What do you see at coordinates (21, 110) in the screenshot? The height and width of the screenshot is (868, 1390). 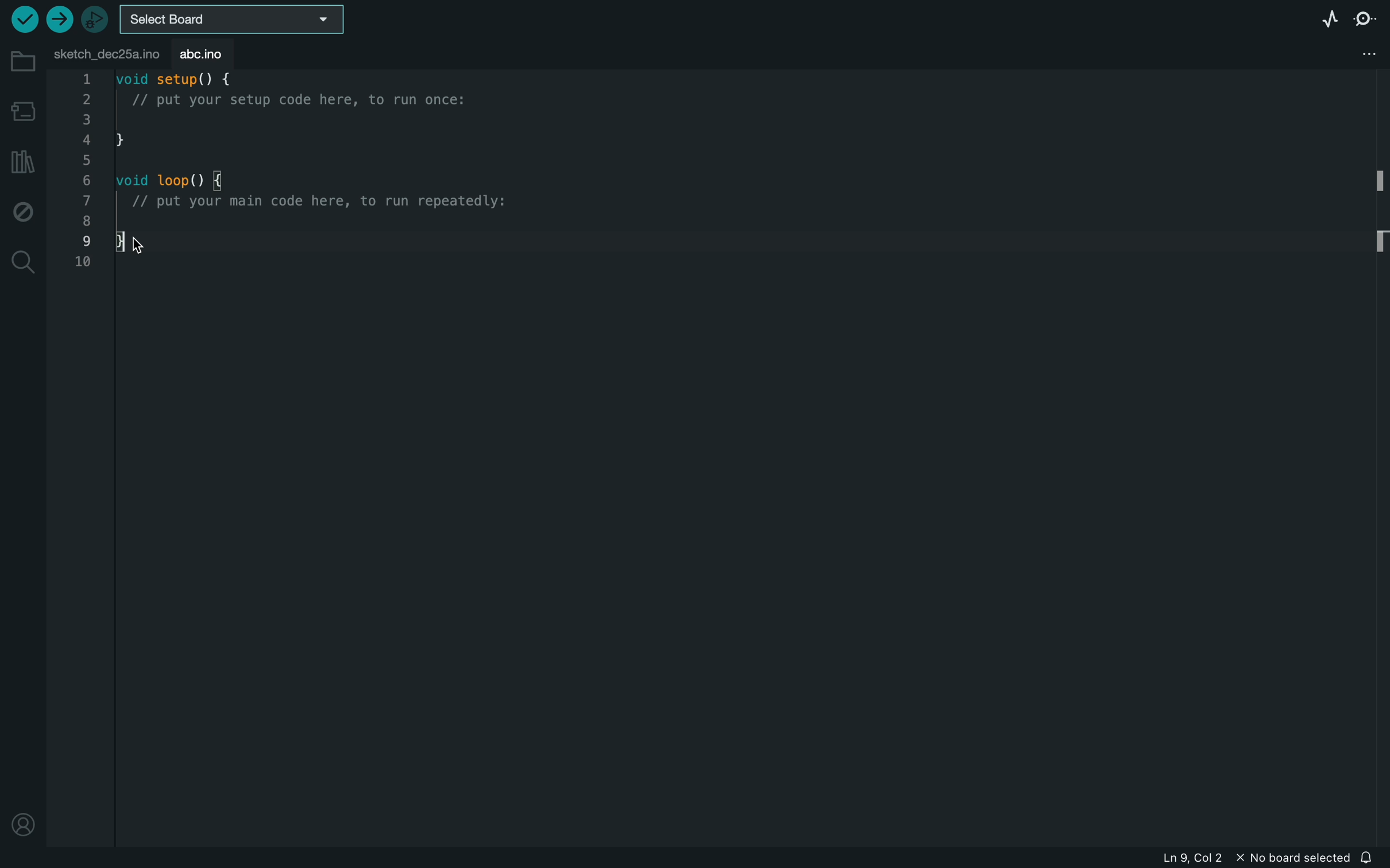 I see `board  manager` at bounding box center [21, 110].